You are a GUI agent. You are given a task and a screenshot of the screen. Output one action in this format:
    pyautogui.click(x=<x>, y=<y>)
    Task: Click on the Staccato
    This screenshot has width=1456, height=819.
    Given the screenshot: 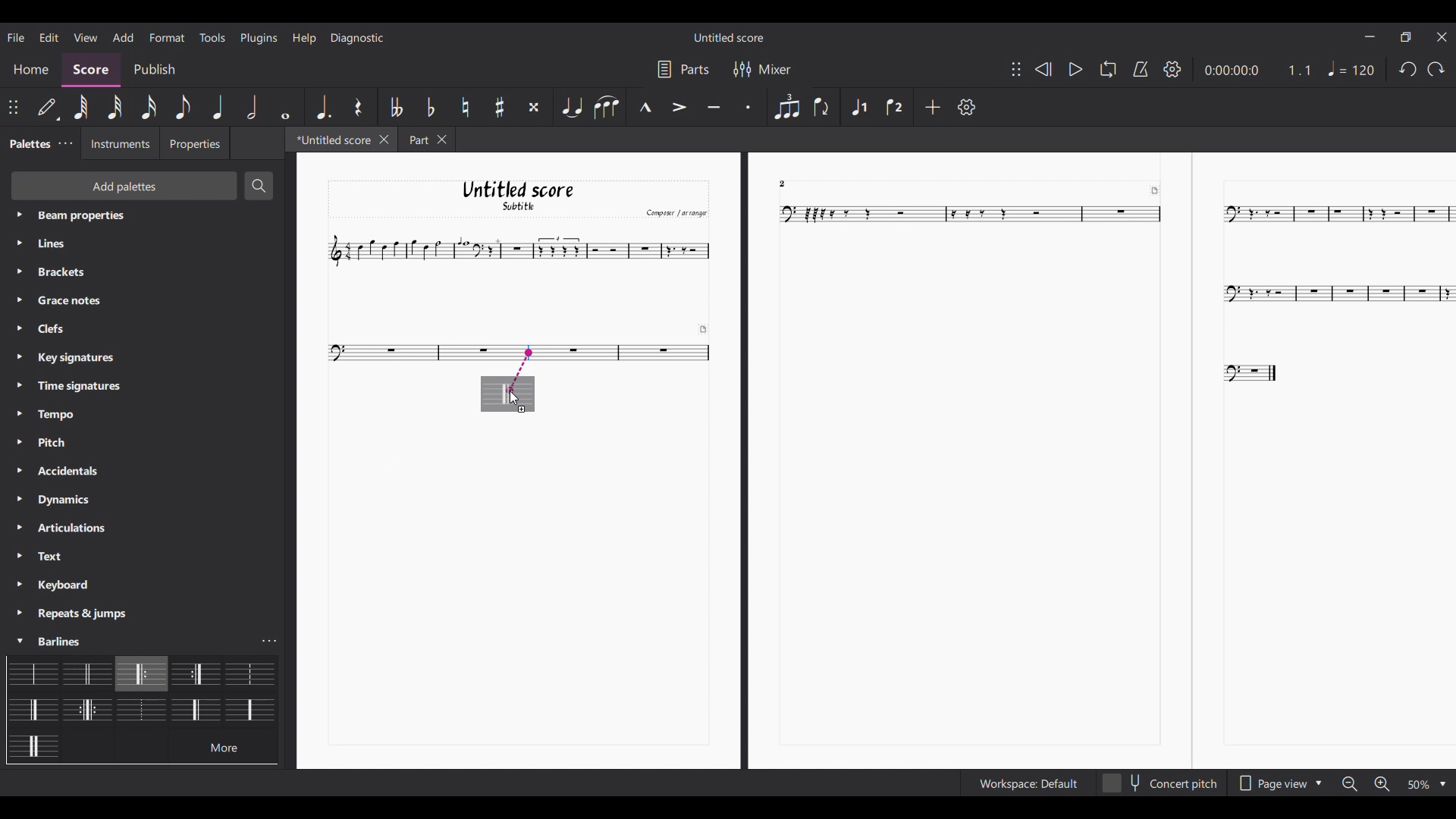 What is the action you would take?
    pyautogui.click(x=748, y=108)
    